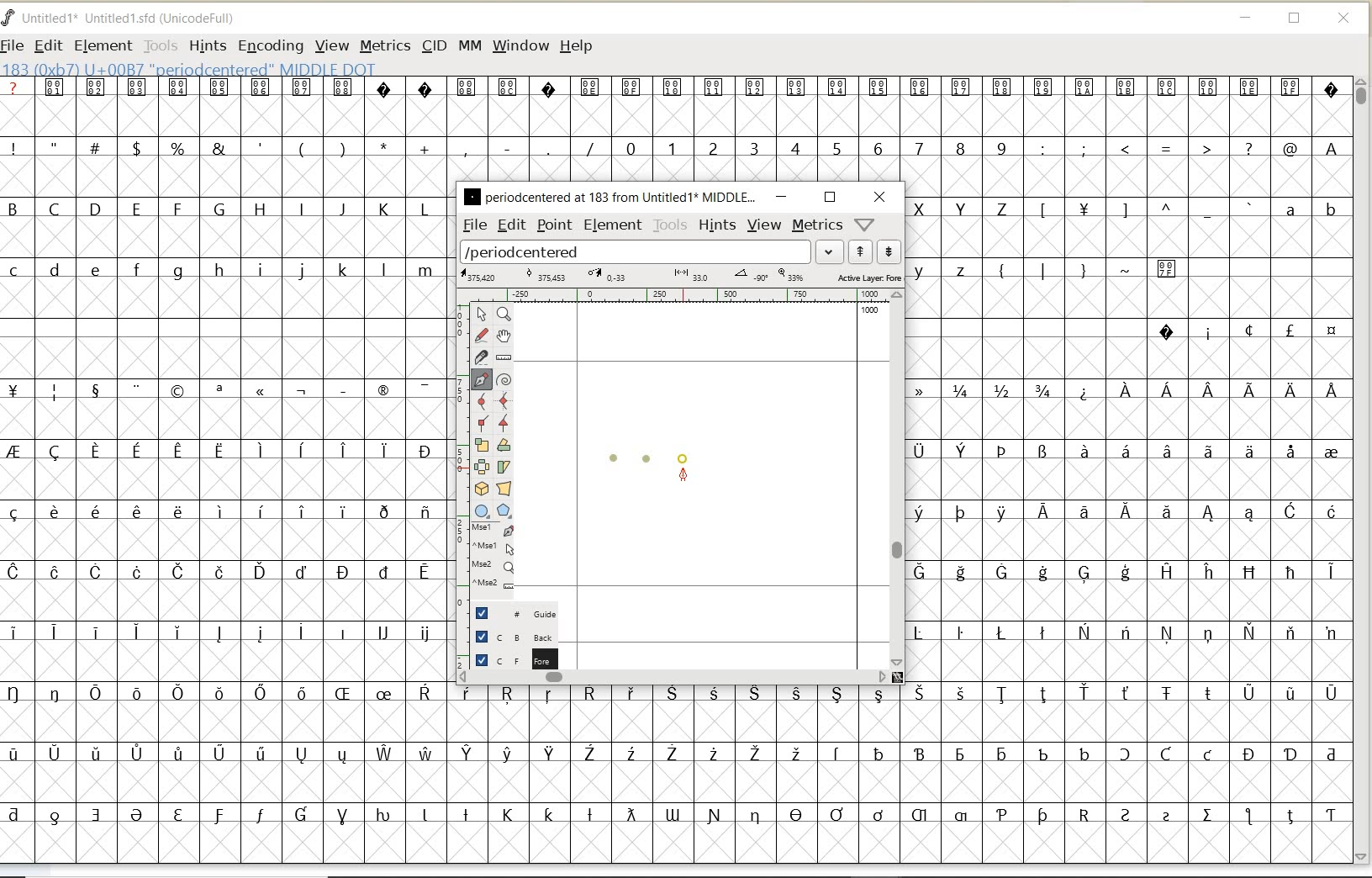 The image size is (1372, 878). Describe the element at coordinates (964, 208) in the screenshot. I see `uppercase letters` at that location.